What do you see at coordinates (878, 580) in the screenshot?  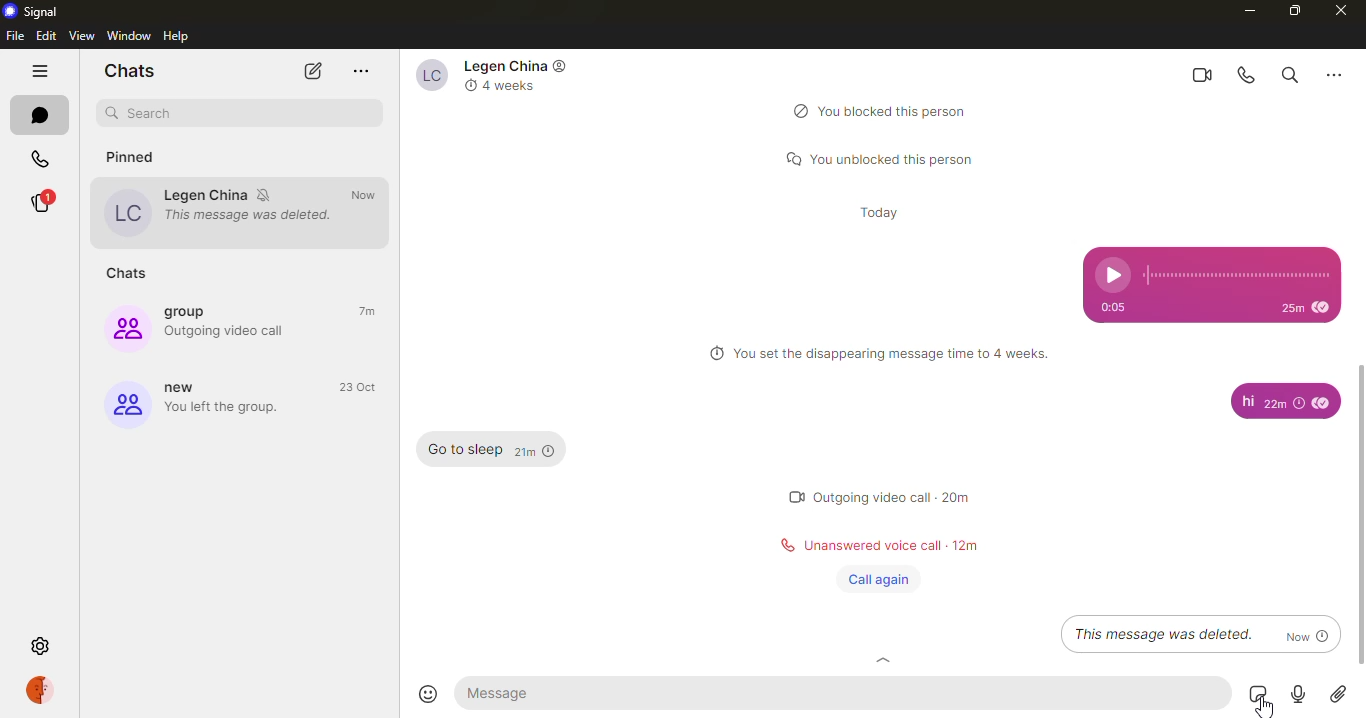 I see `call again` at bounding box center [878, 580].